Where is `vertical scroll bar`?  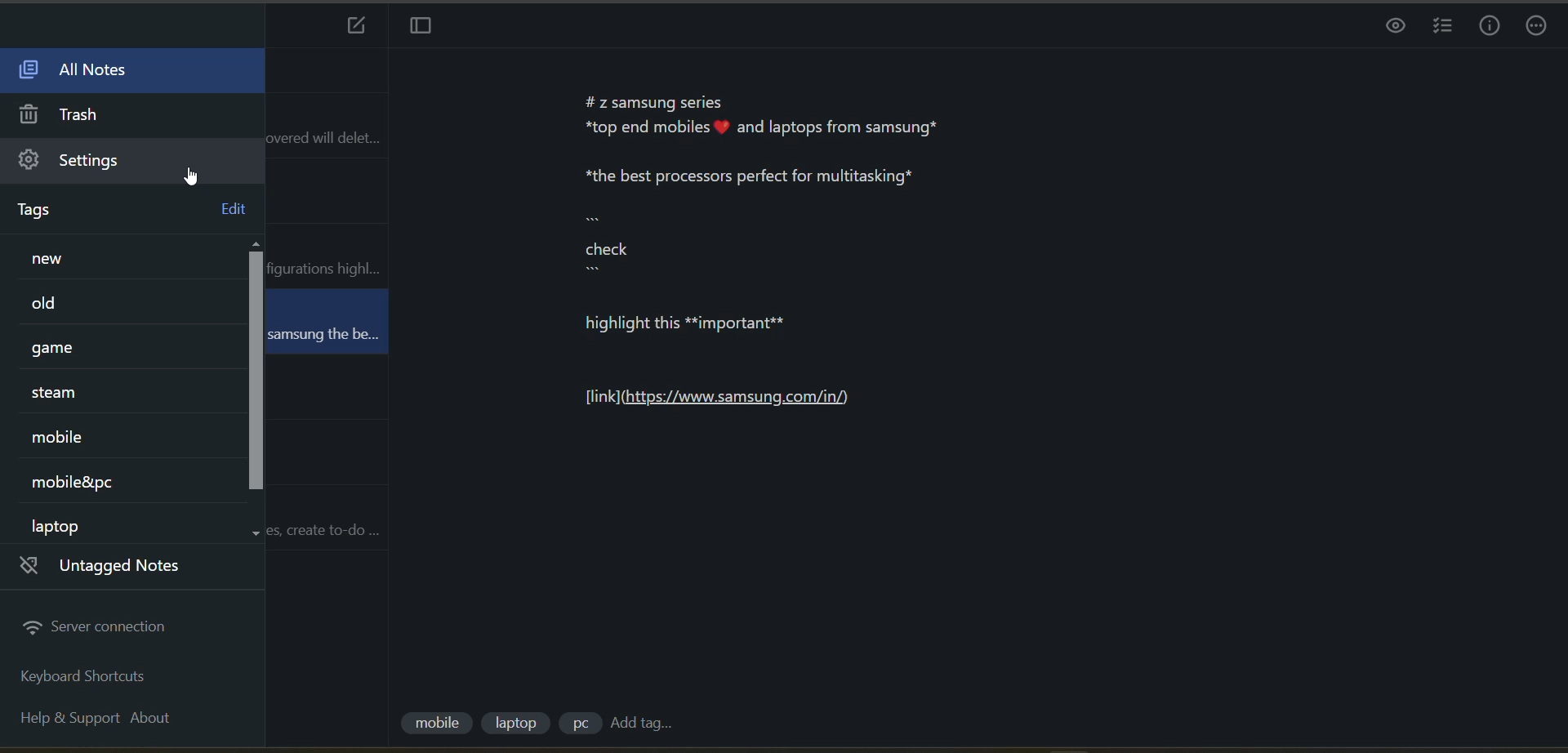 vertical scroll bar is located at coordinates (256, 372).